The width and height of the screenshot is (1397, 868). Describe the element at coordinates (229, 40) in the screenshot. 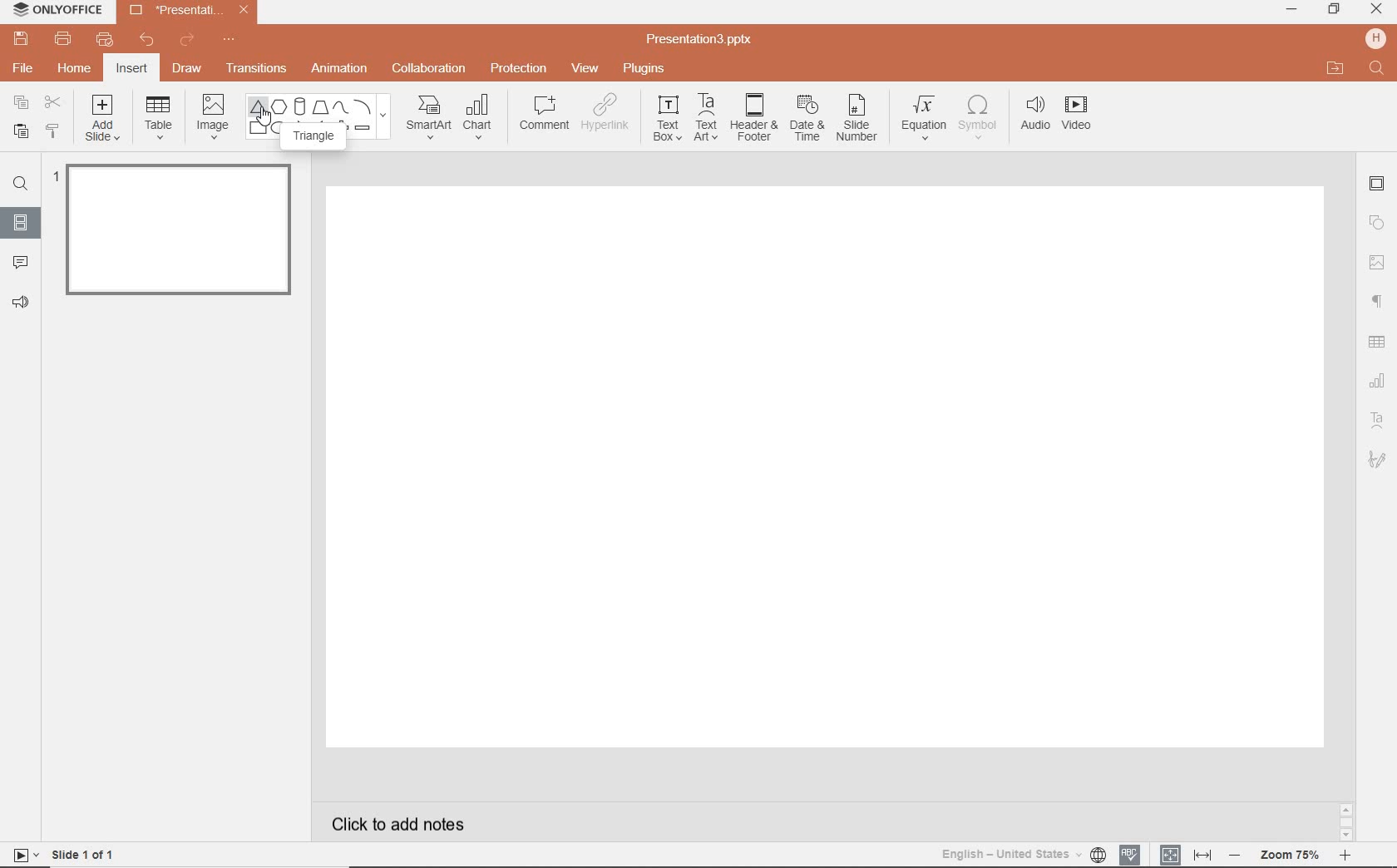

I see `CUSTOMIZE QUICK ACCESS TOOLBAR` at that location.